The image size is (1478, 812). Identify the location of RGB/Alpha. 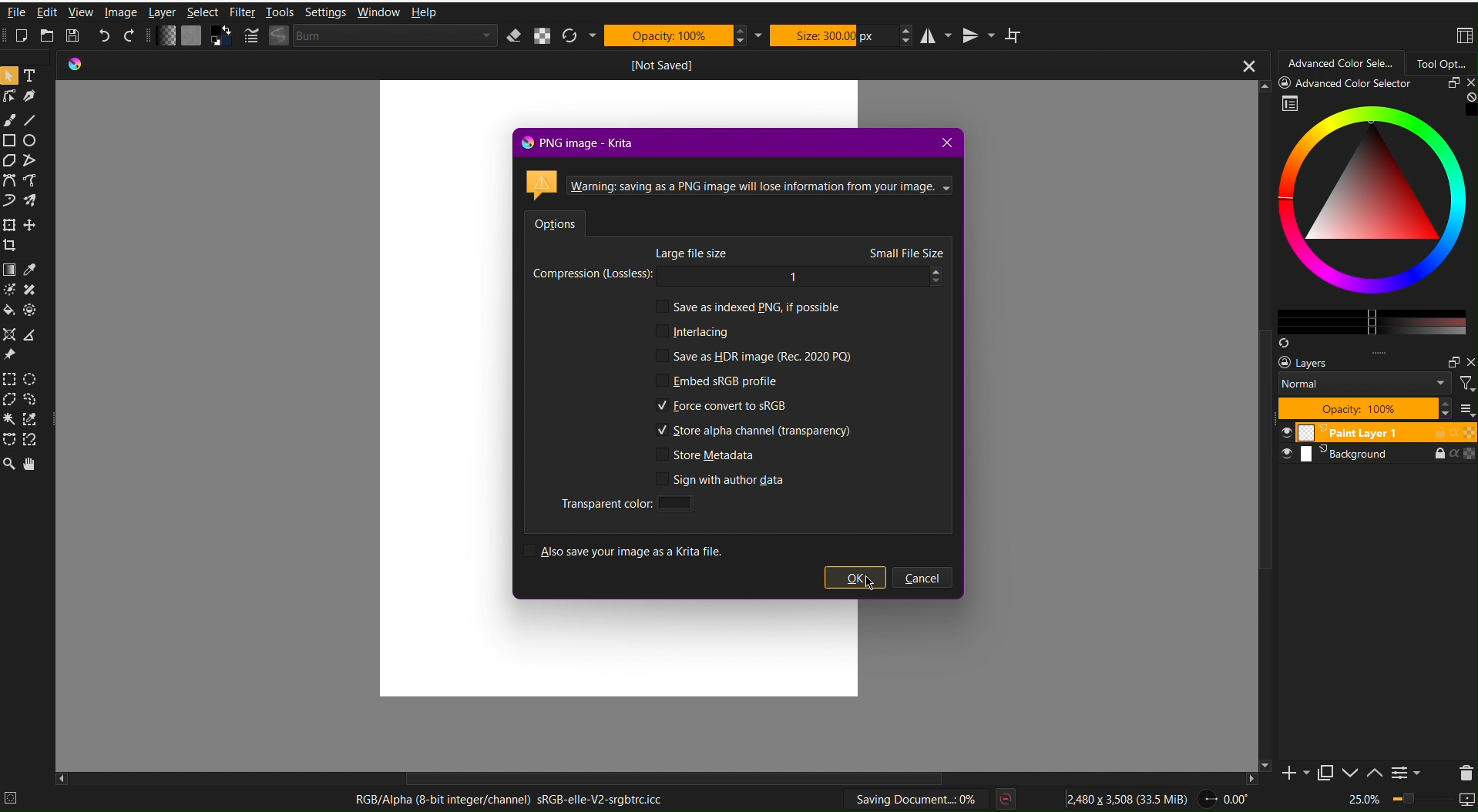
(504, 800).